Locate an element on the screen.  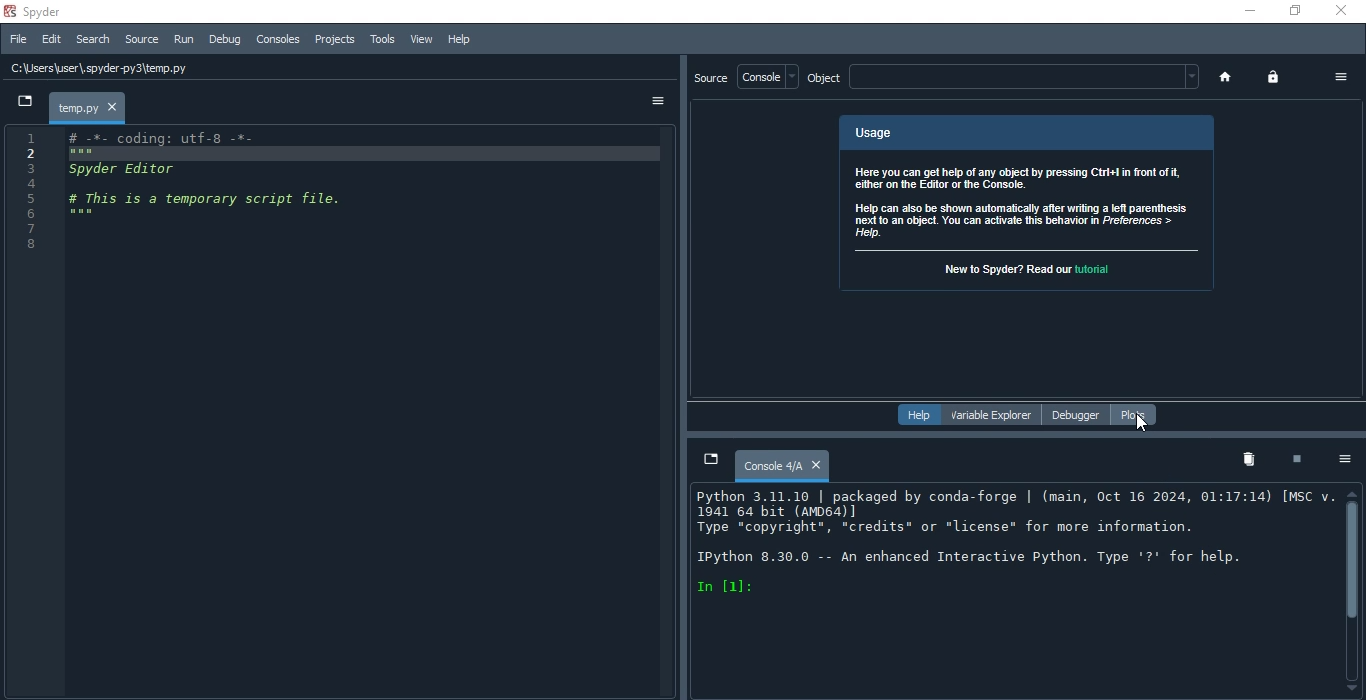
Projects is located at coordinates (332, 39).